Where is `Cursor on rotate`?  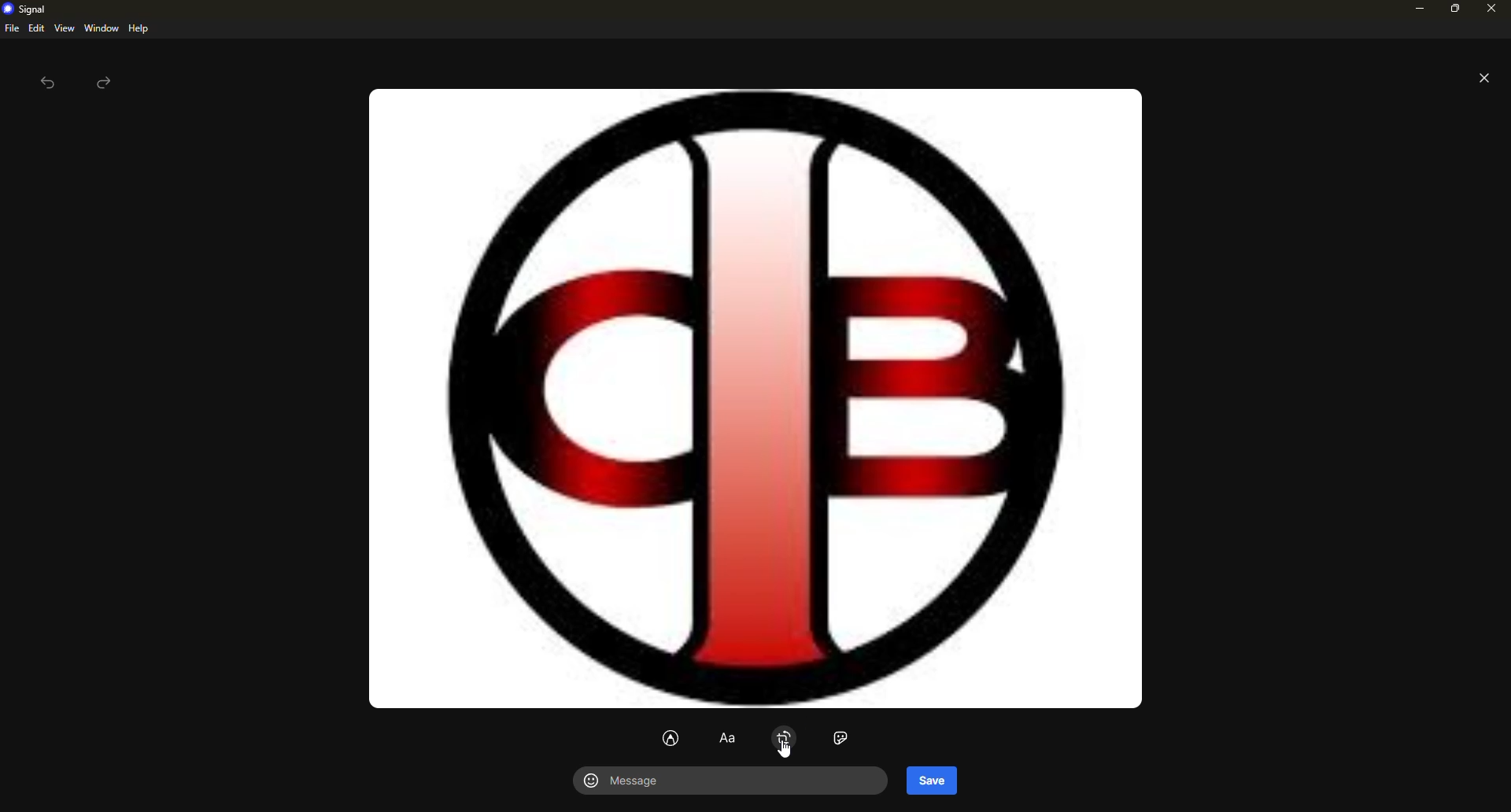
Cursor on rotate is located at coordinates (785, 744).